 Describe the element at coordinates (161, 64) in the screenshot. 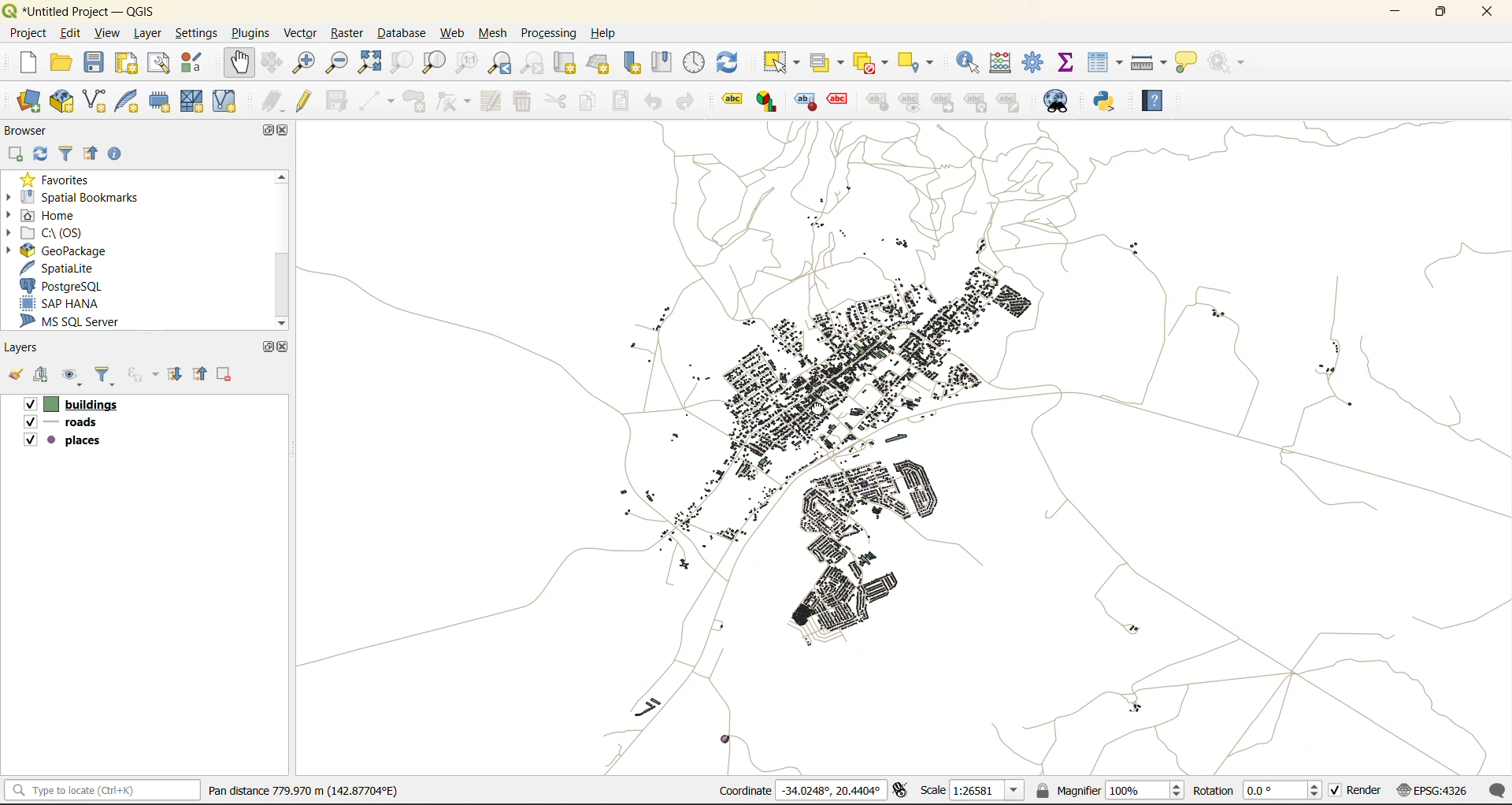

I see `show layout` at that location.